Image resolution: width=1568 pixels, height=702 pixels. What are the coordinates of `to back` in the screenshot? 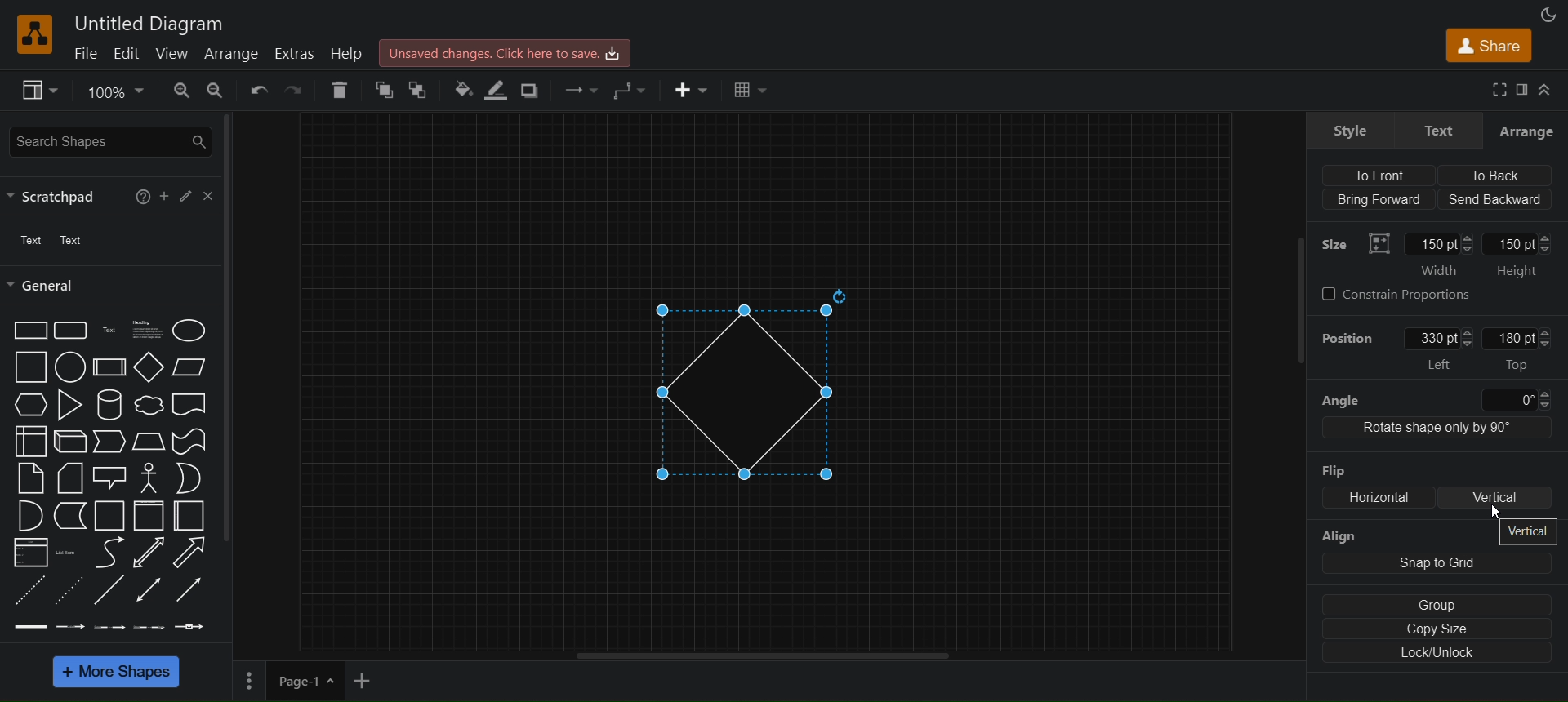 It's located at (1491, 175).